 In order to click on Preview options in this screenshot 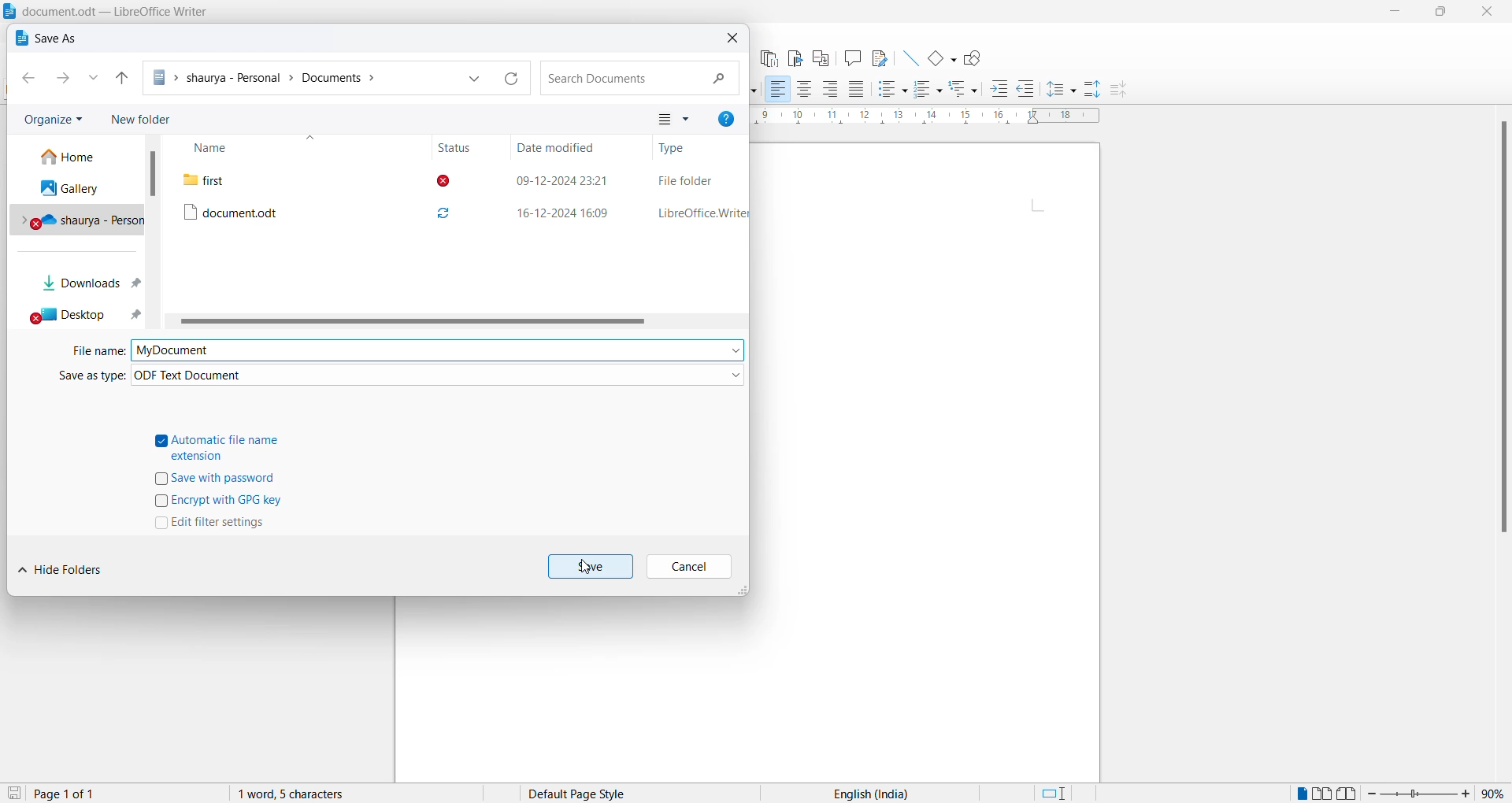, I will do `click(678, 117)`.